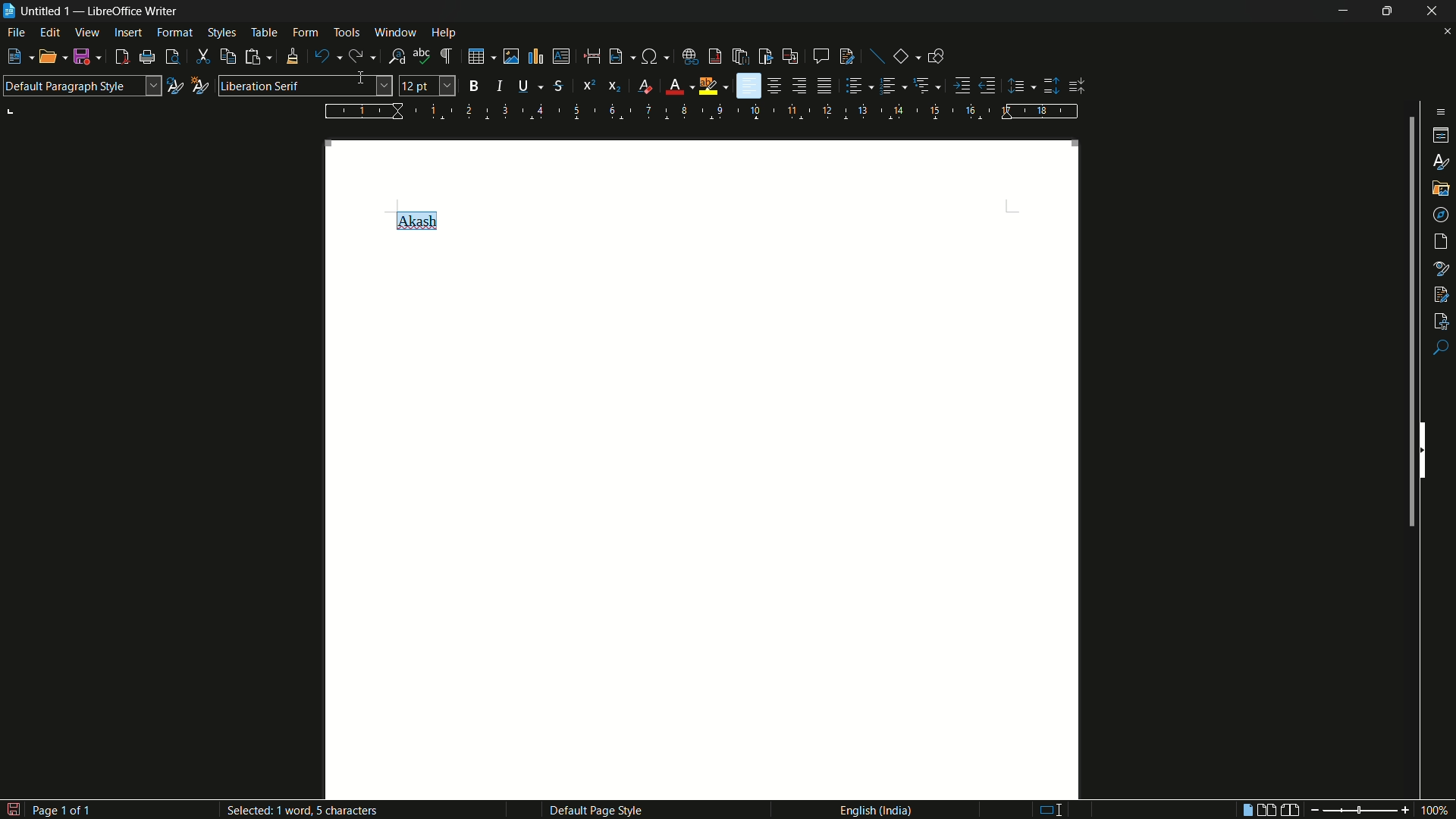 This screenshot has width=1456, height=819. Describe the element at coordinates (14, 57) in the screenshot. I see `new file` at that location.